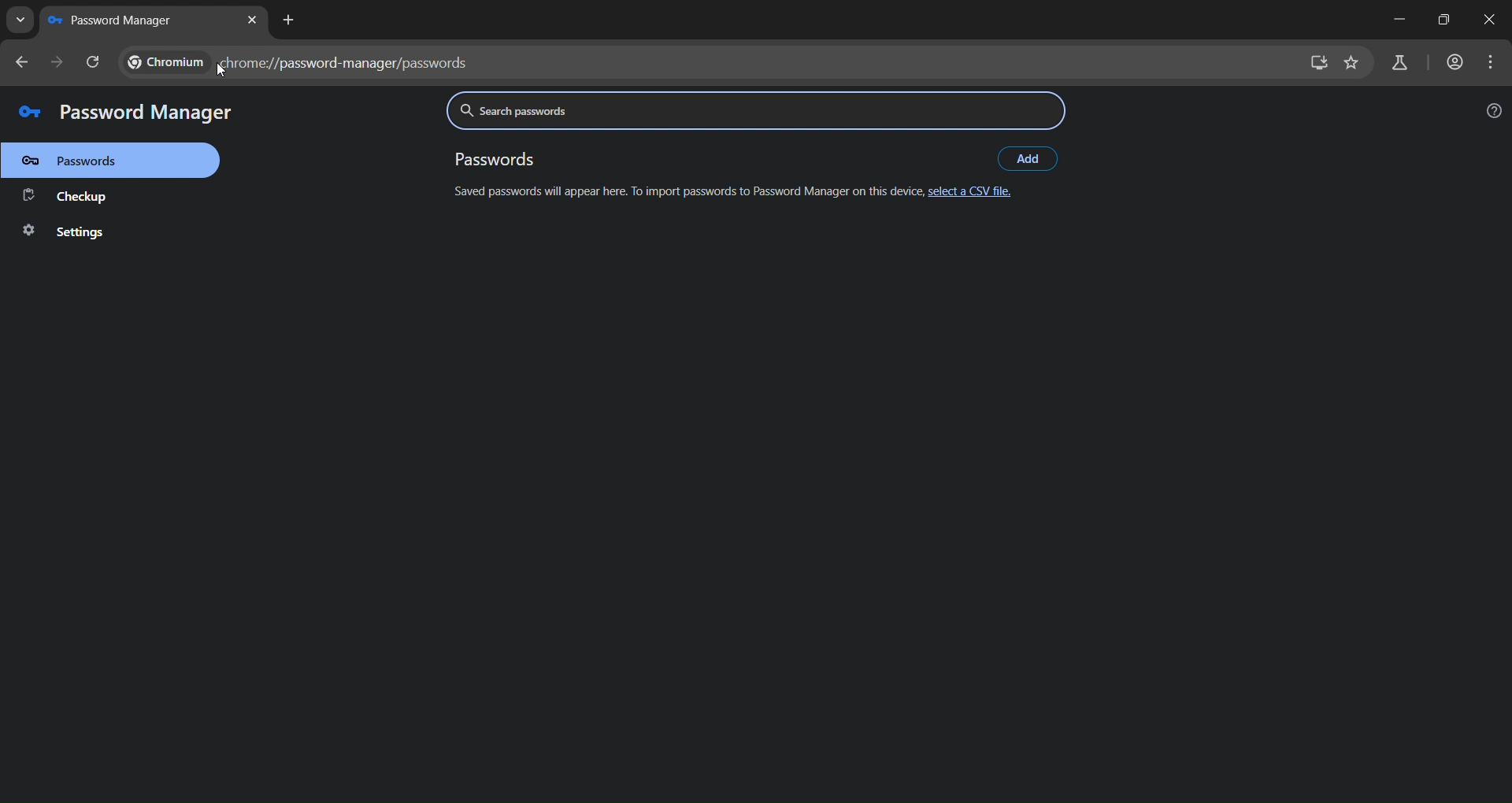  I want to click on add, so click(1030, 157).